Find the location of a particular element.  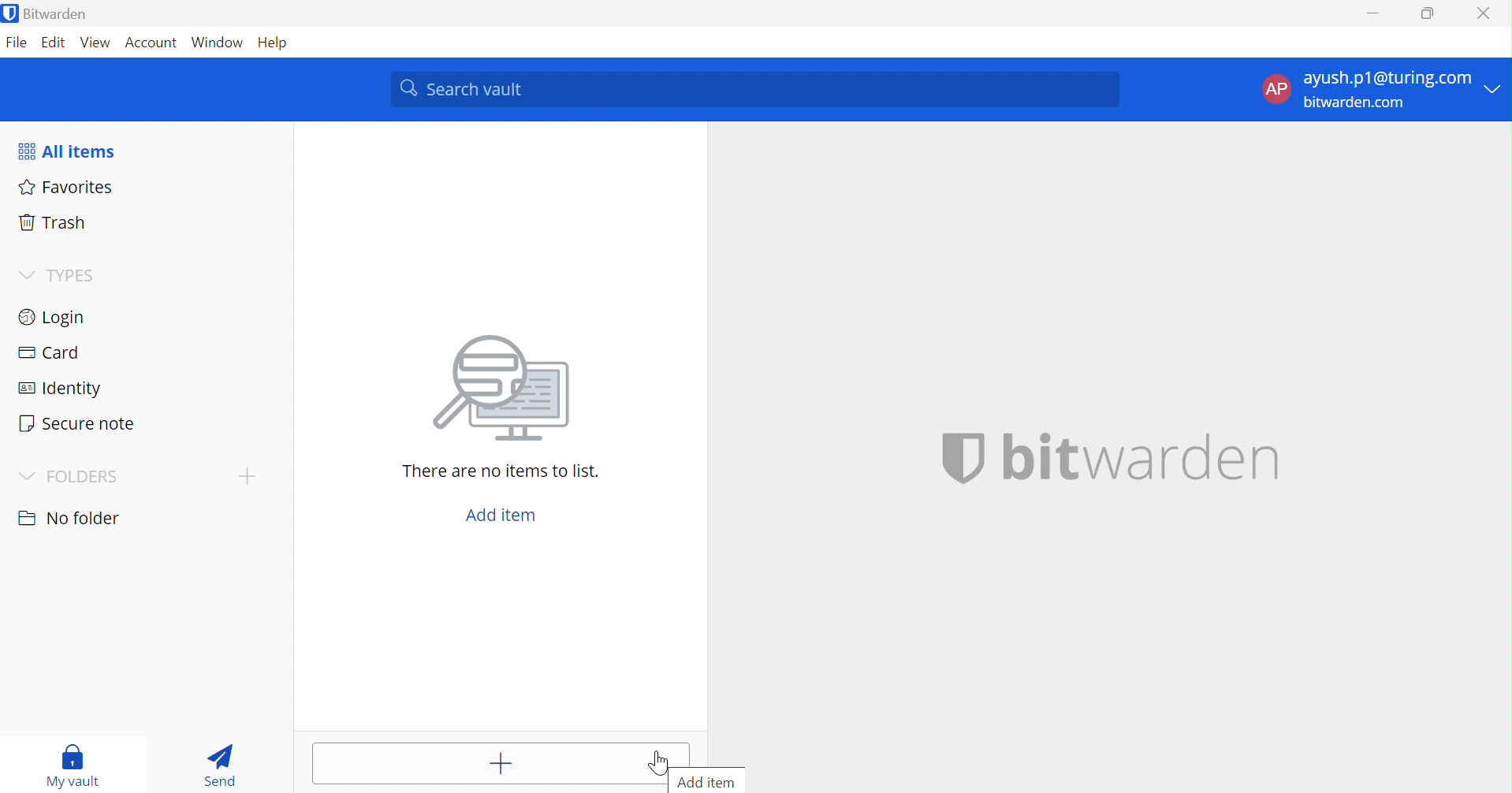

Image is located at coordinates (505, 390).